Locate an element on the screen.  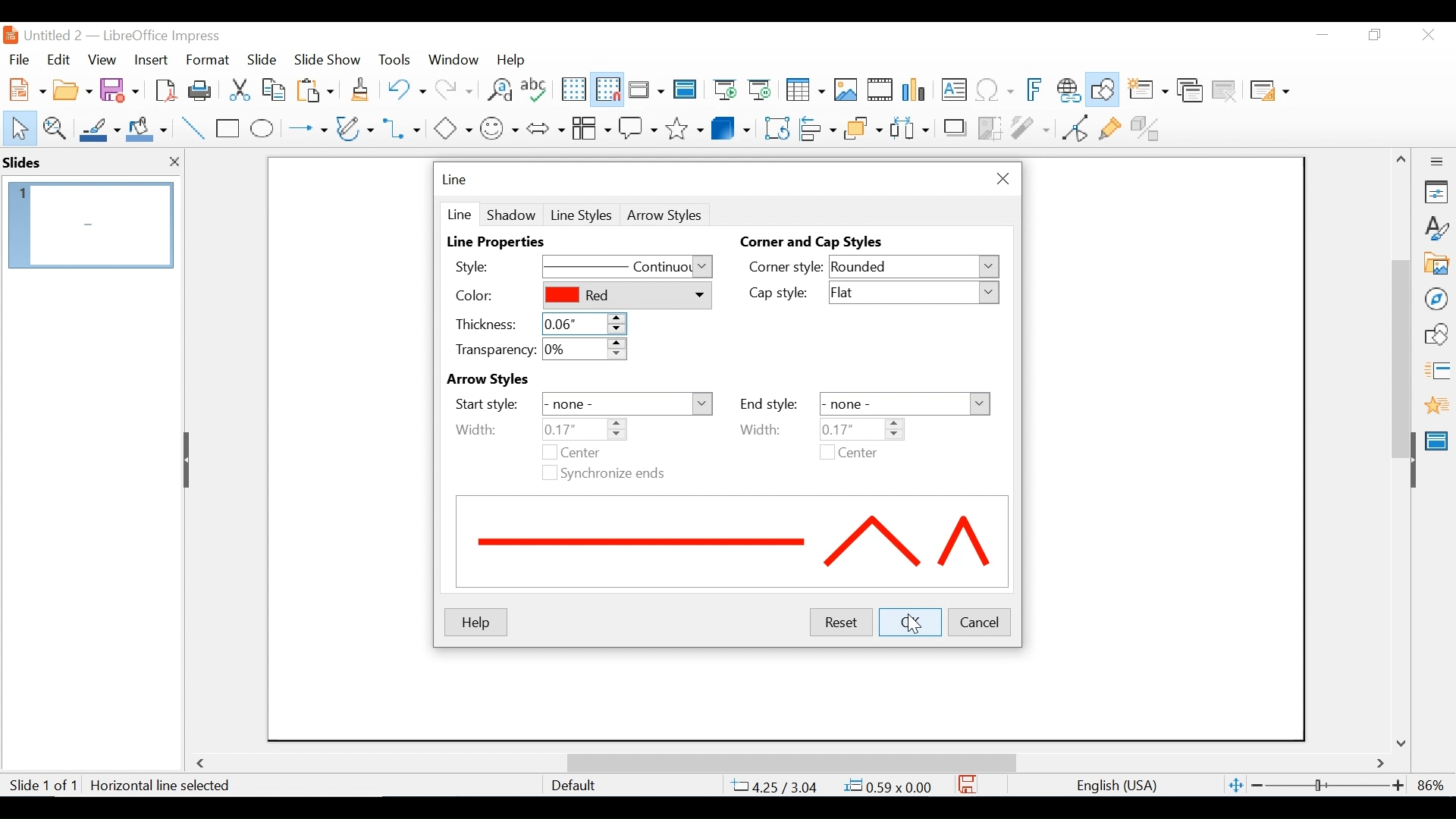
Scroll down is located at coordinates (1404, 742).